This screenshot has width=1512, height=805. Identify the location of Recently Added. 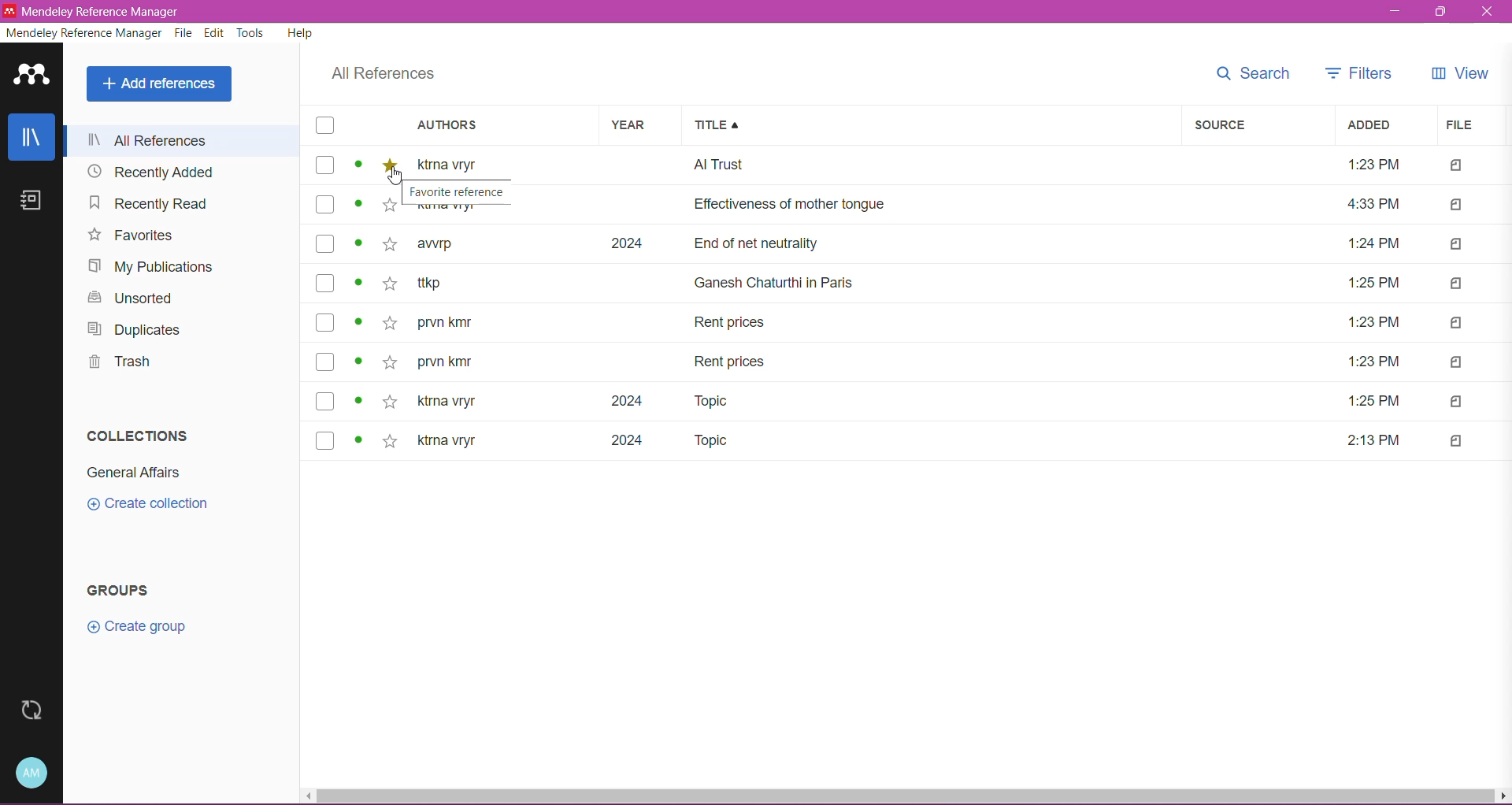
(154, 172).